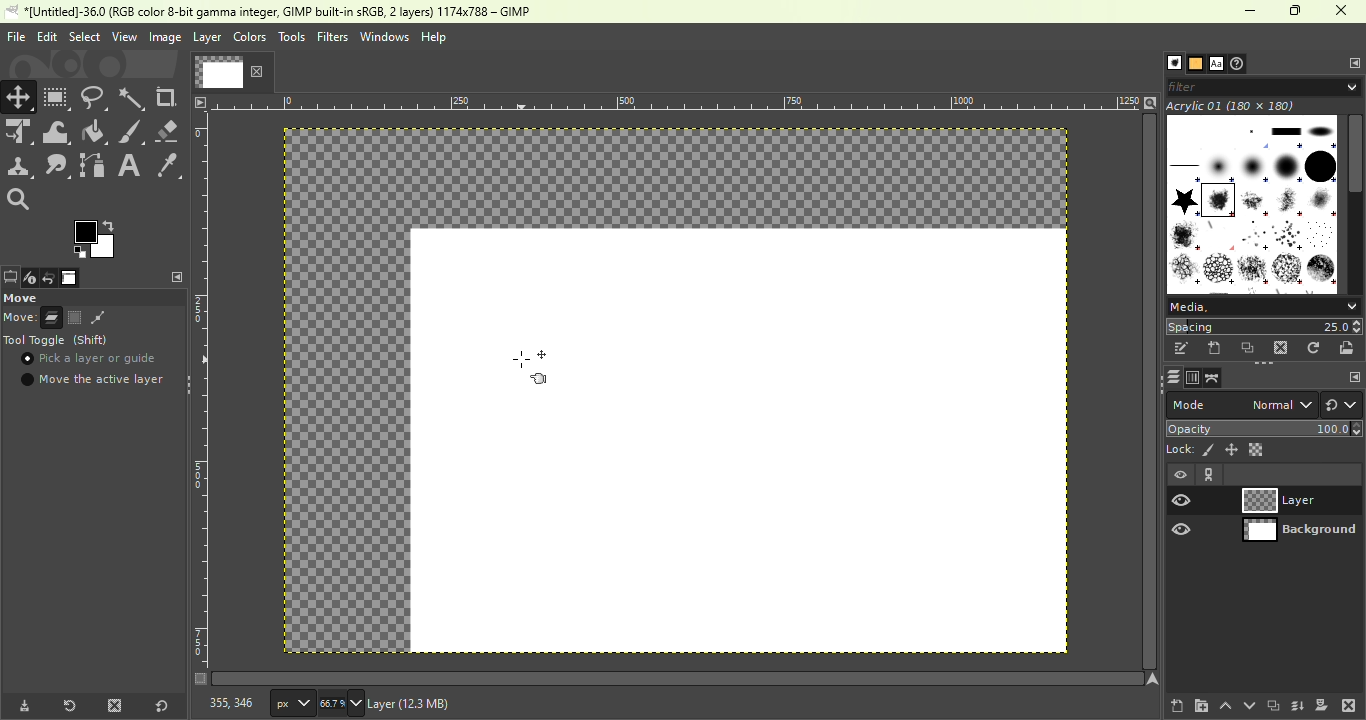 Image resolution: width=1366 pixels, height=720 pixels. I want to click on Create a new brush, so click(1215, 349).